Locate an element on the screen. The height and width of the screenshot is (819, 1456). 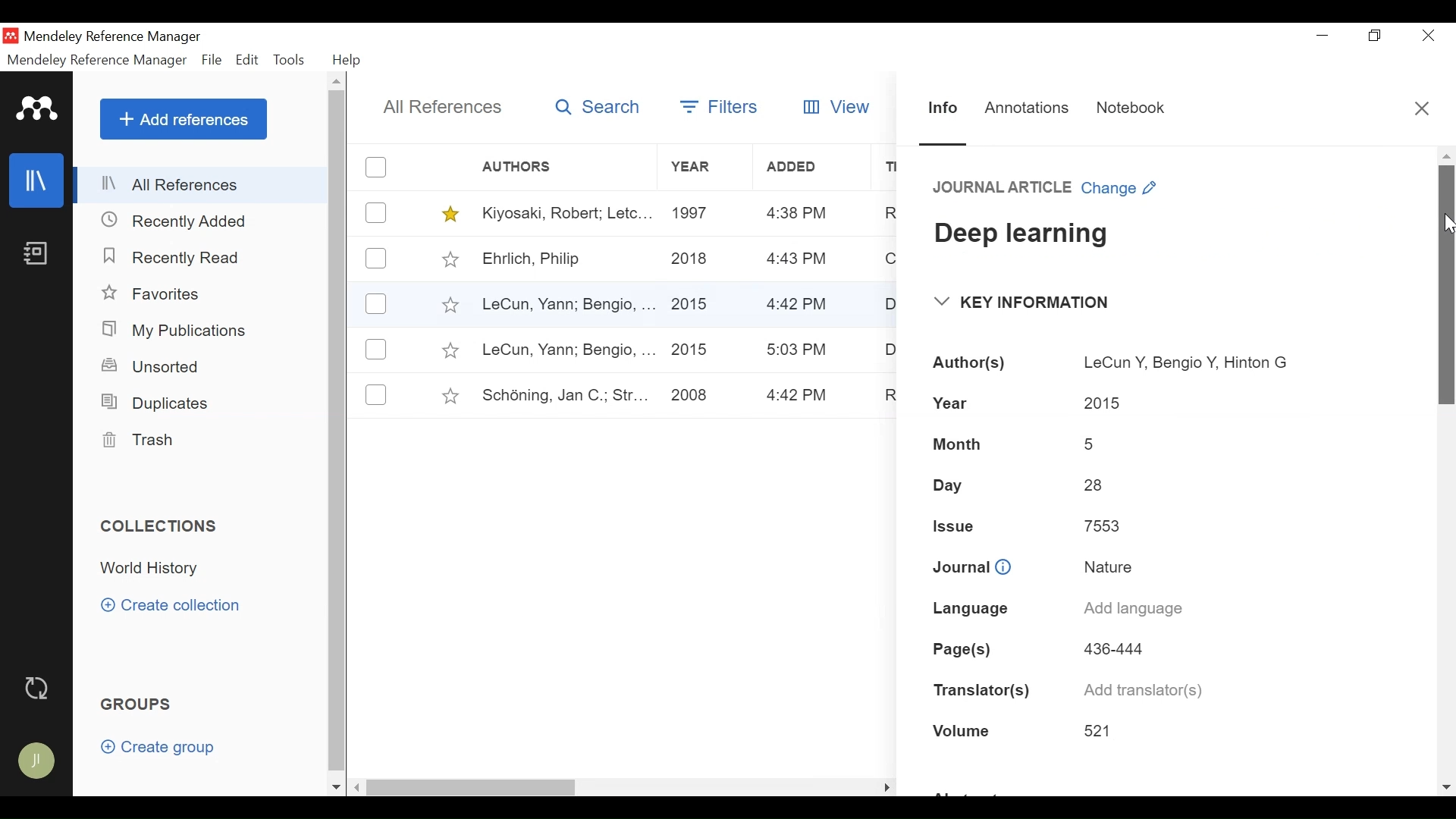
scroll up is located at coordinates (1446, 155).